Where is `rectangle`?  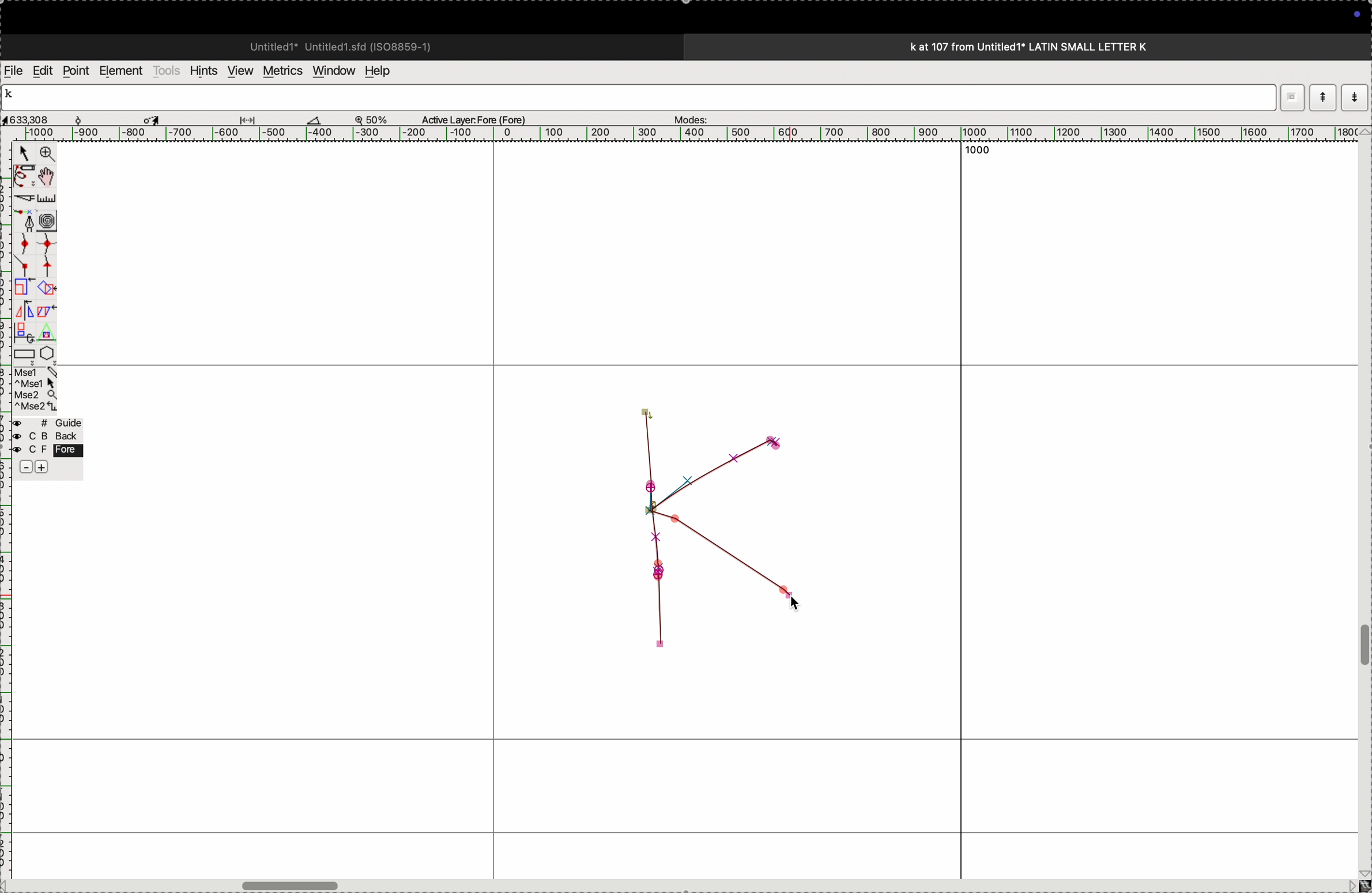
rectangle is located at coordinates (21, 352).